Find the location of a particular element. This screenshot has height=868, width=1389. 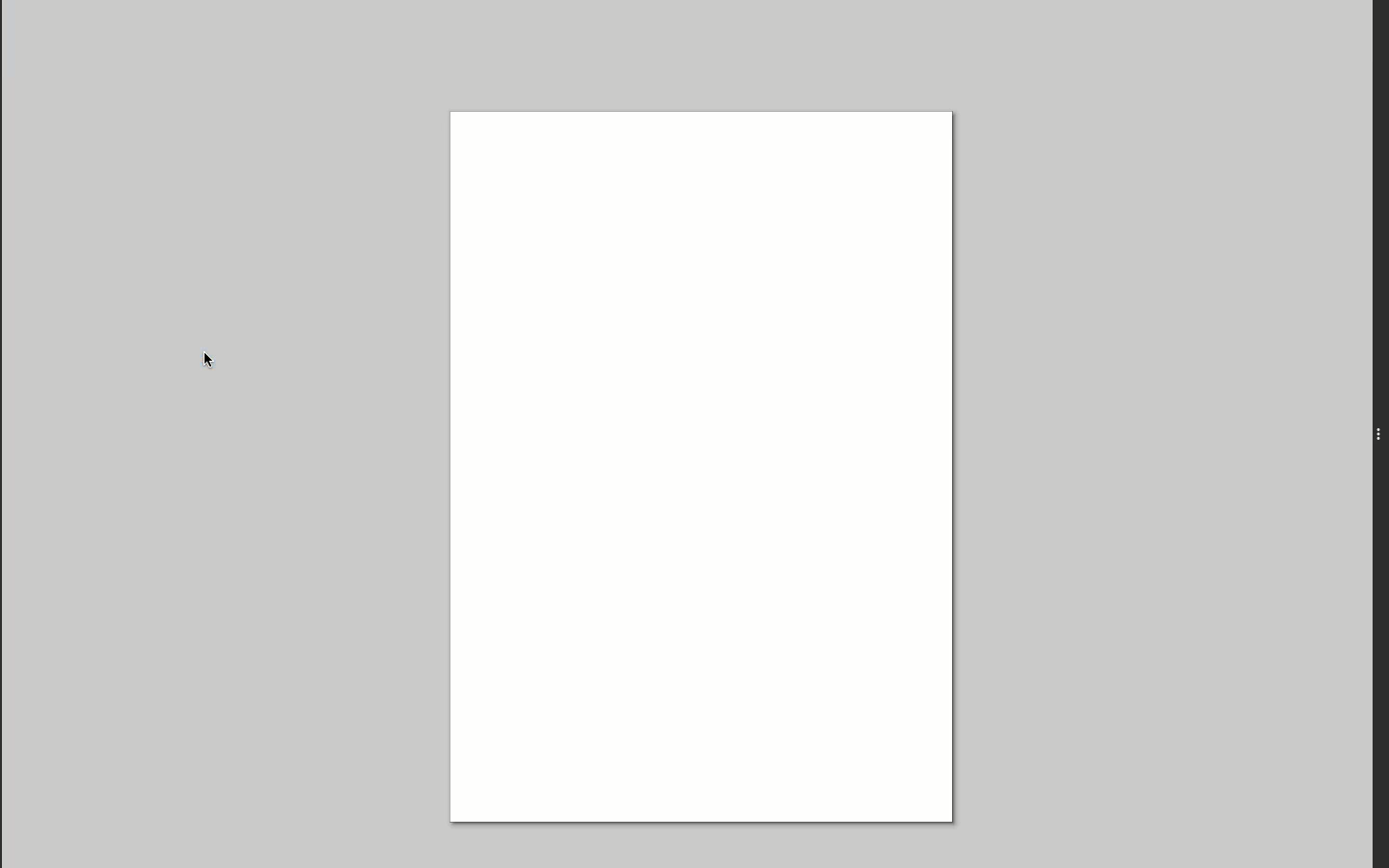

canvas is located at coordinates (713, 457).